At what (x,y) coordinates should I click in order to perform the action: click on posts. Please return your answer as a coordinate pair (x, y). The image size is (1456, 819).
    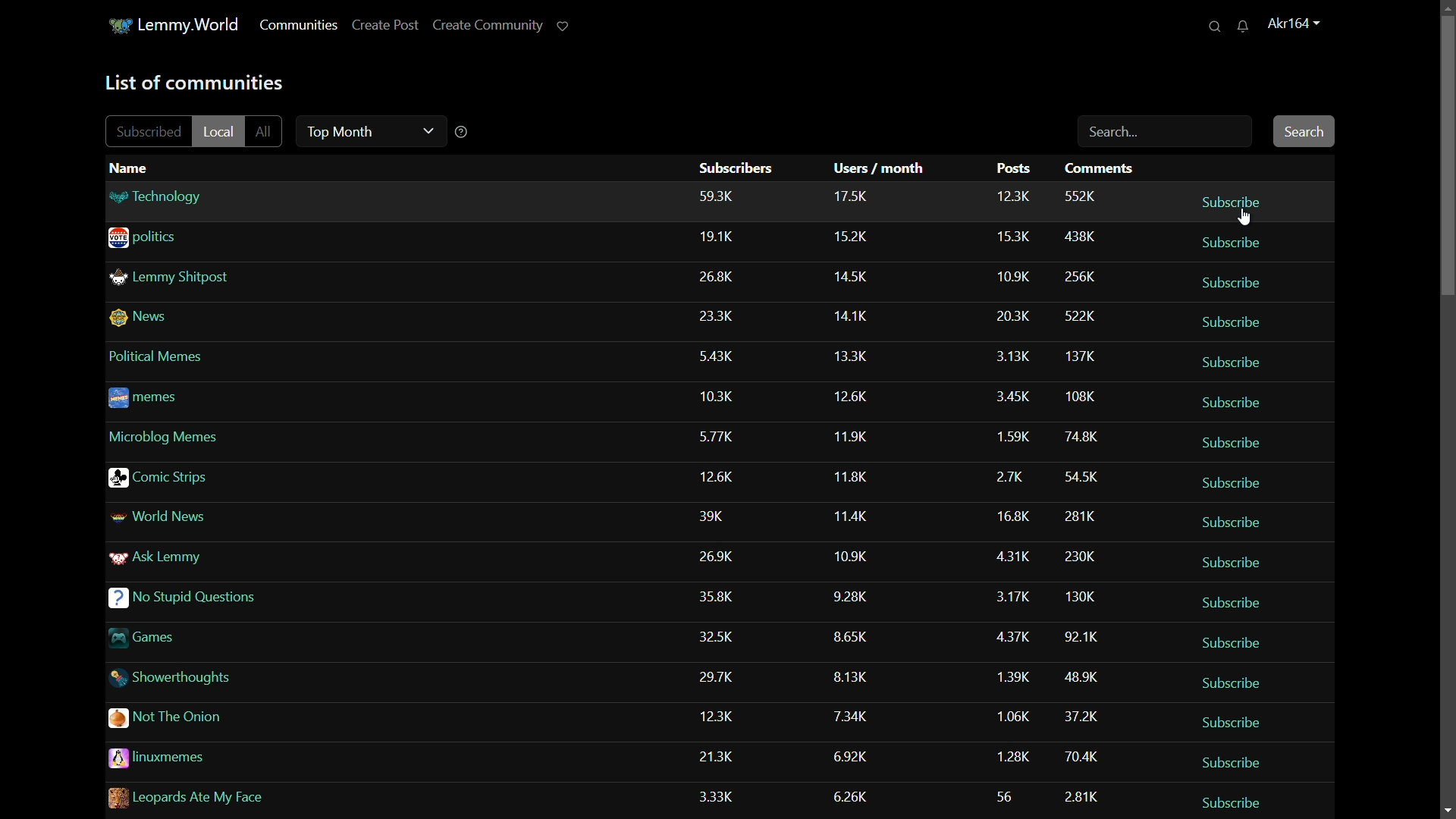
    Looking at the image, I should click on (1006, 793).